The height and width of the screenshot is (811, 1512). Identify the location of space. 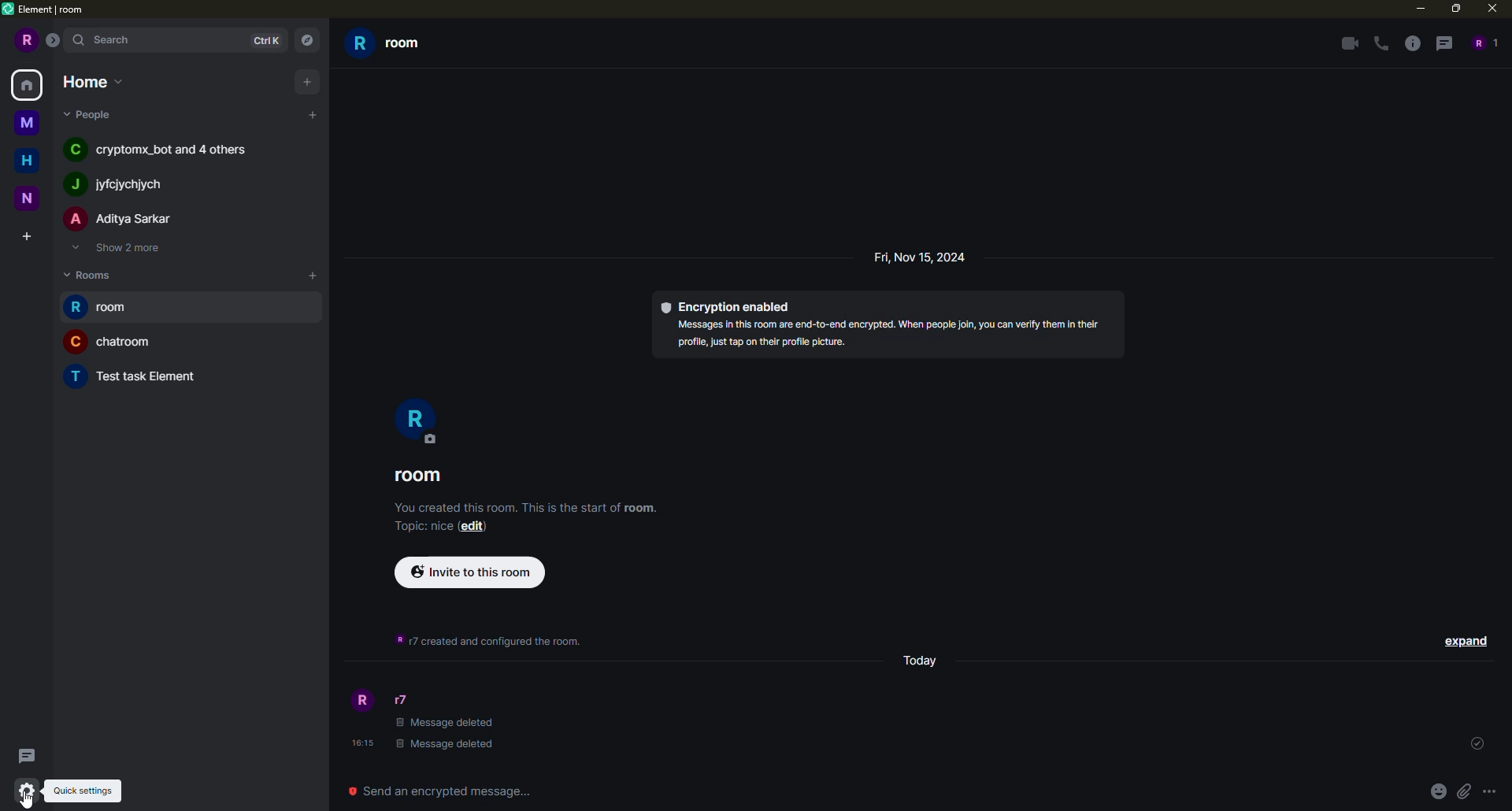
(28, 196).